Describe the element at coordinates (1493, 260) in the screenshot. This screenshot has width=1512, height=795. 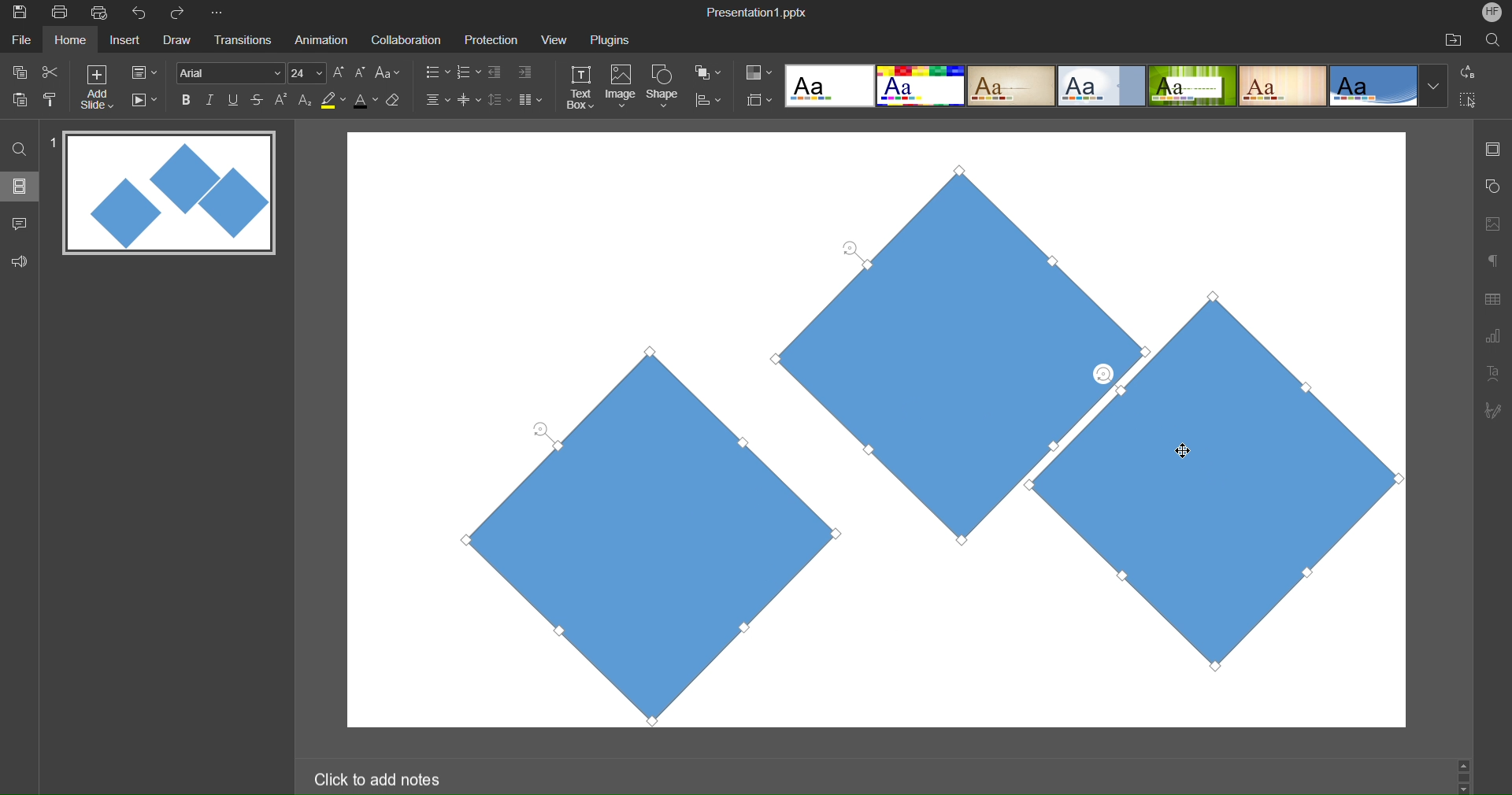
I see `Paragraph Settings` at that location.